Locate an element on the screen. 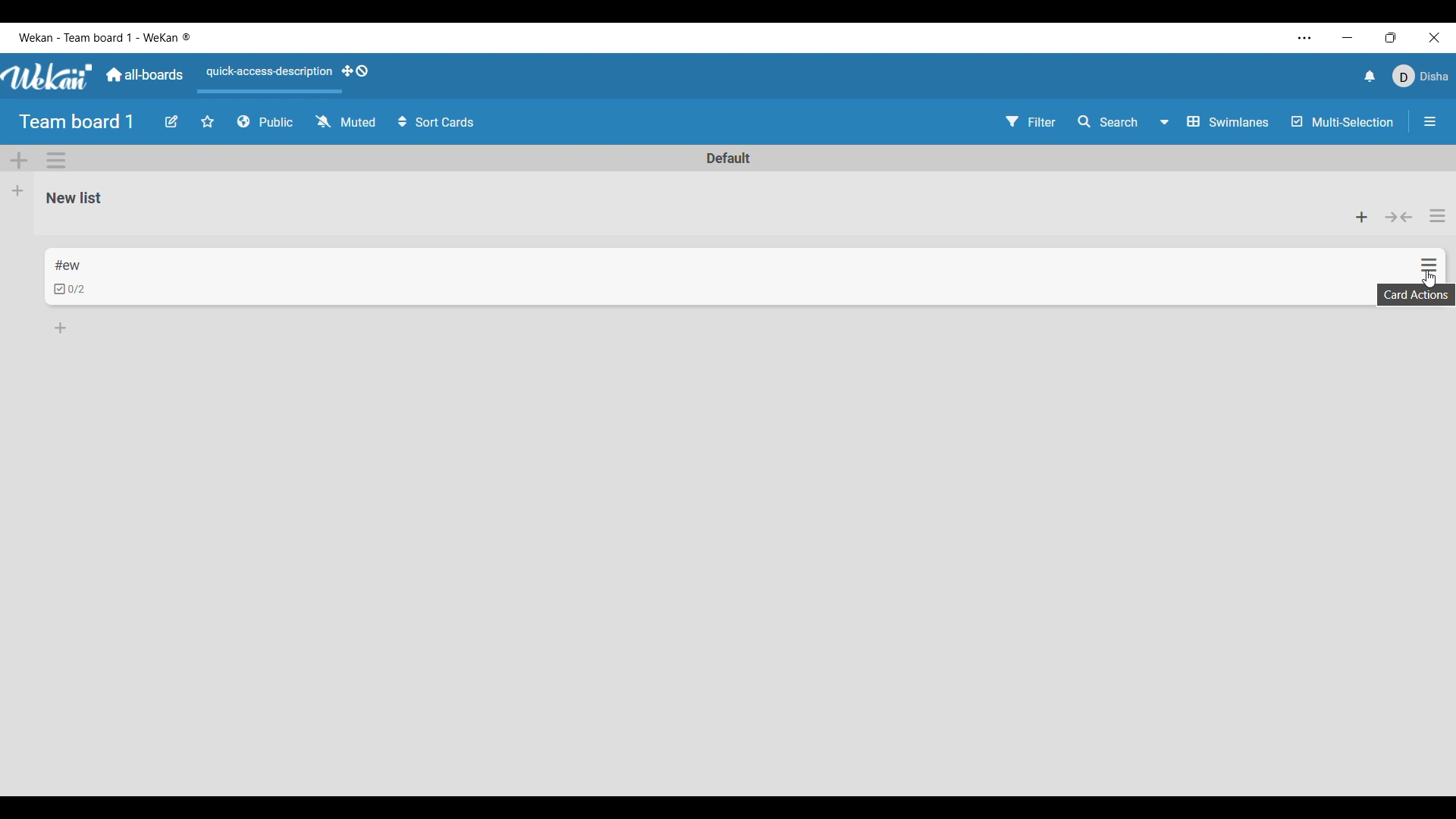  Board title is located at coordinates (77, 122).